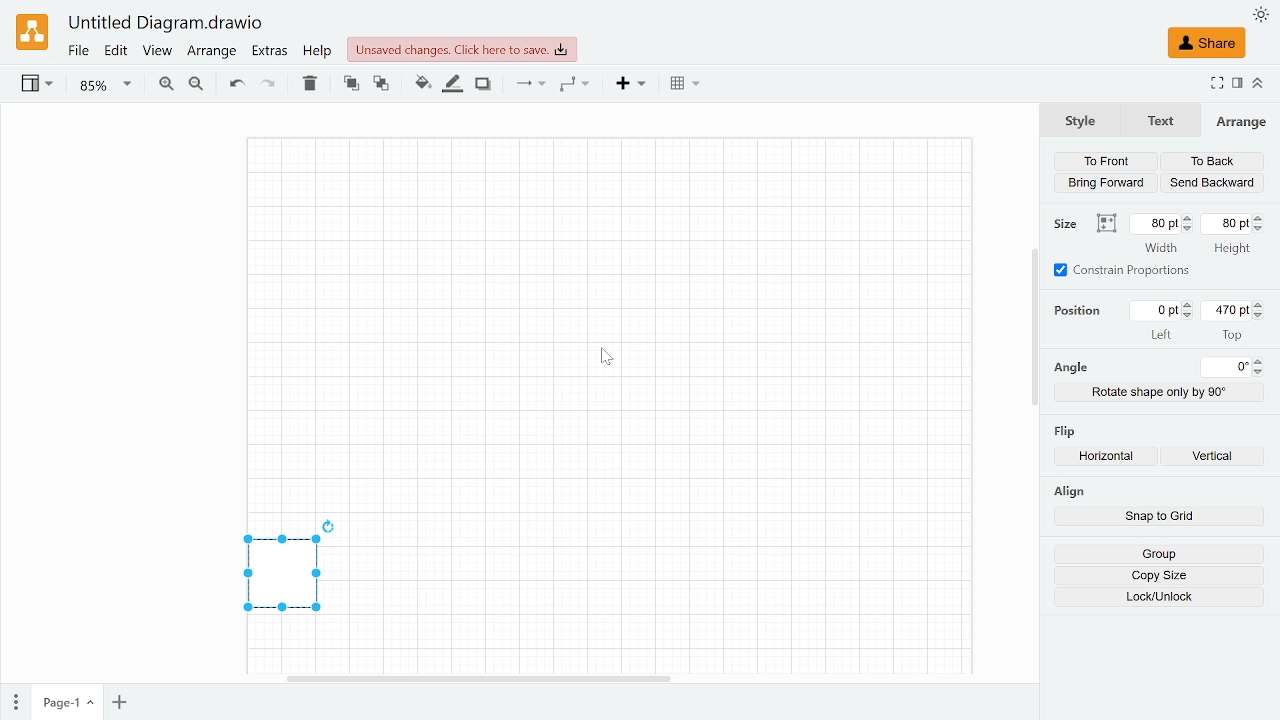  Describe the element at coordinates (633, 85) in the screenshot. I see `Insert` at that location.